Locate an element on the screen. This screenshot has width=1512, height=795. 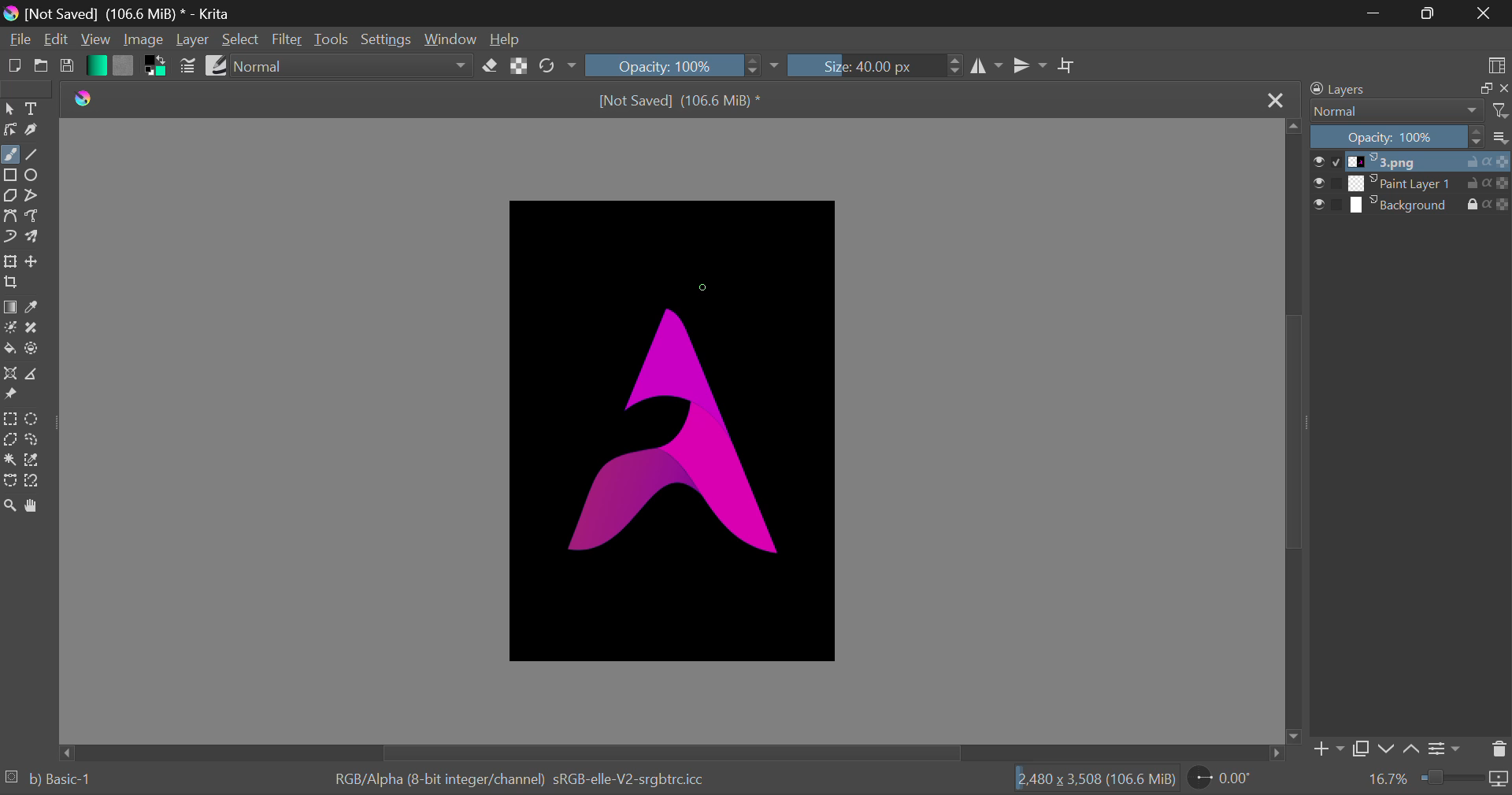
Minimize is located at coordinates (1426, 13).